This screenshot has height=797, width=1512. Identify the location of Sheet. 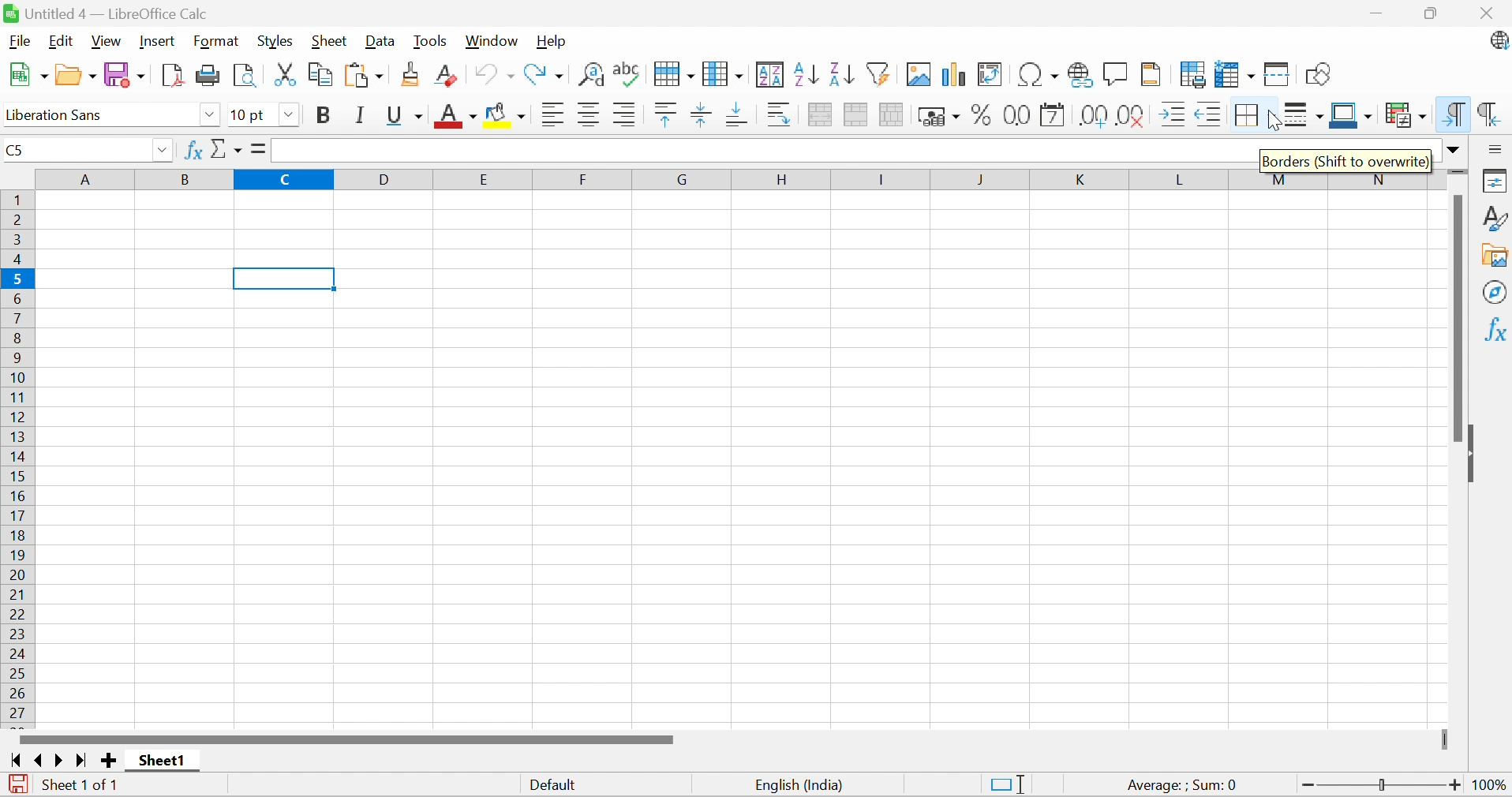
(330, 41).